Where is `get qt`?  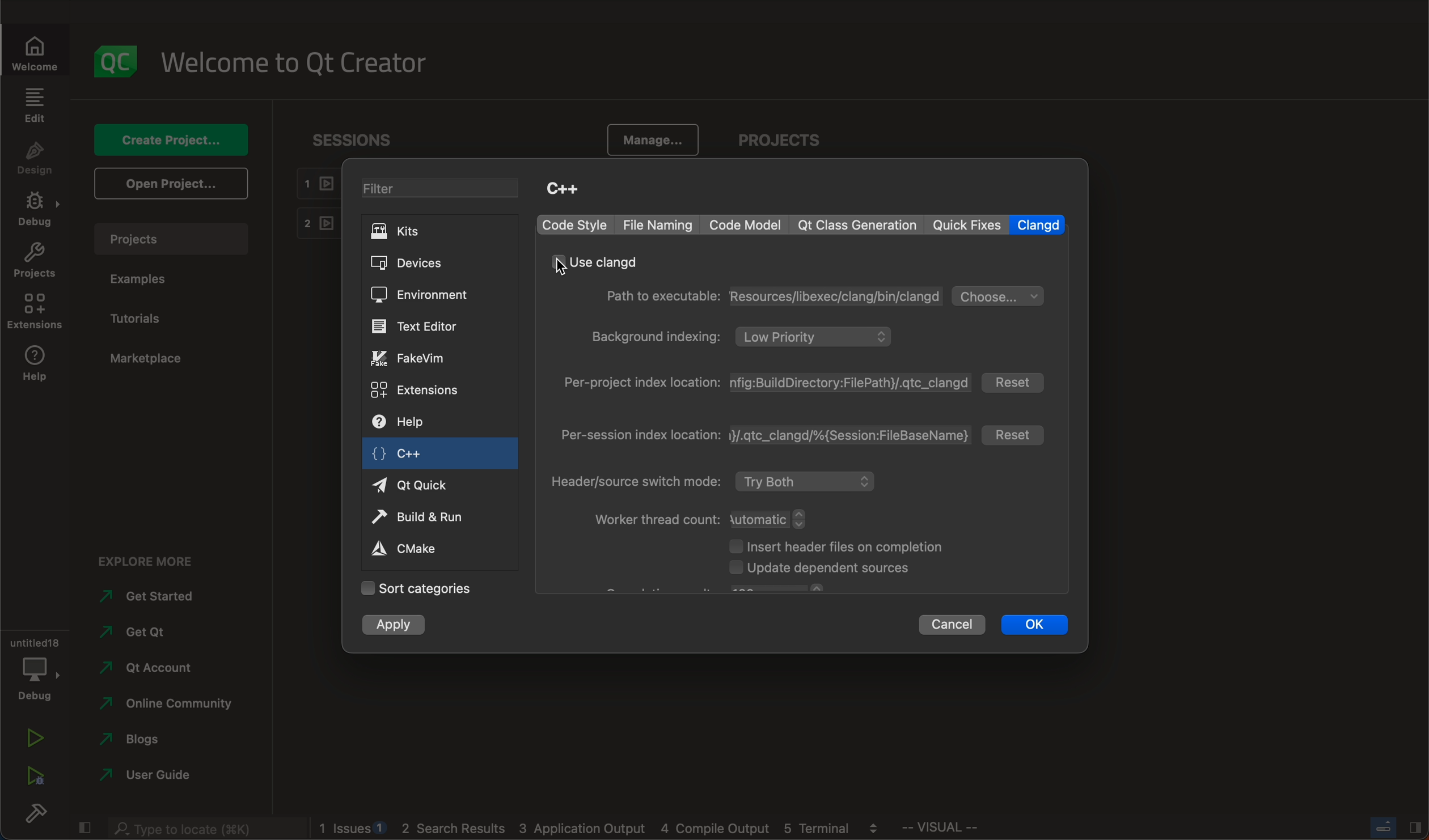 get qt is located at coordinates (145, 633).